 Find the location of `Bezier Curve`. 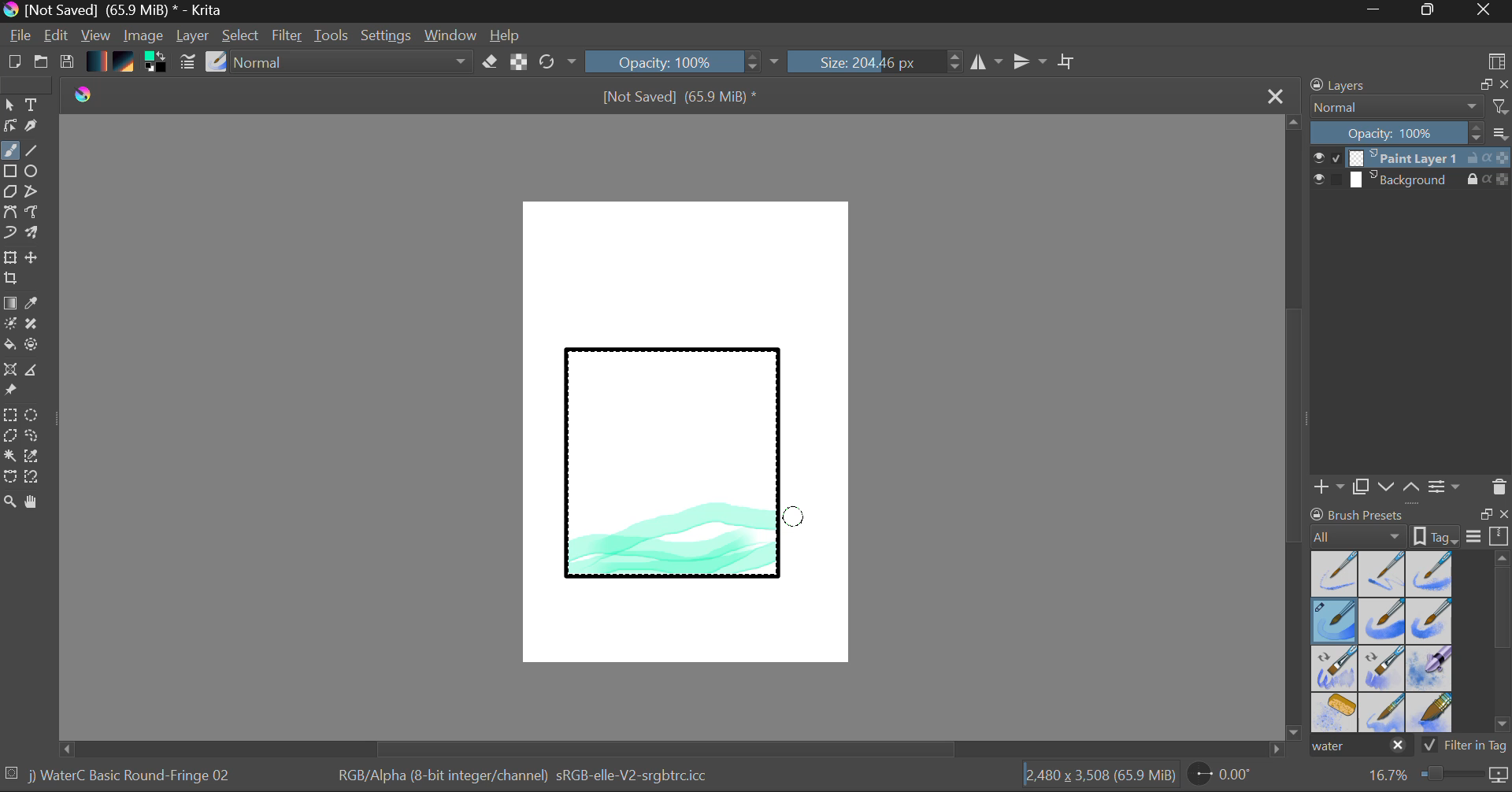

Bezier Curve is located at coordinates (9, 213).